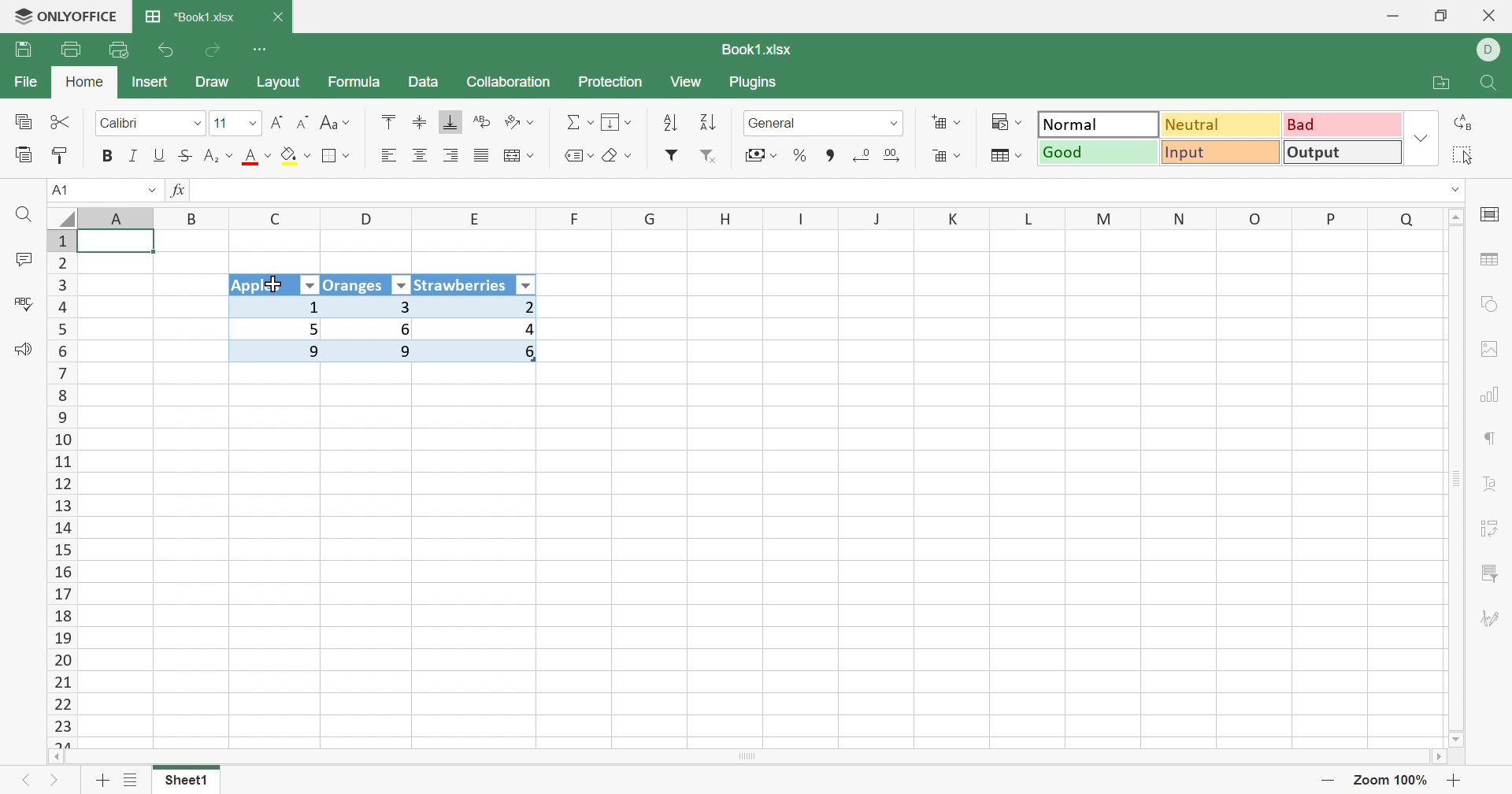 This screenshot has width=1512, height=794. I want to click on View, so click(688, 83).